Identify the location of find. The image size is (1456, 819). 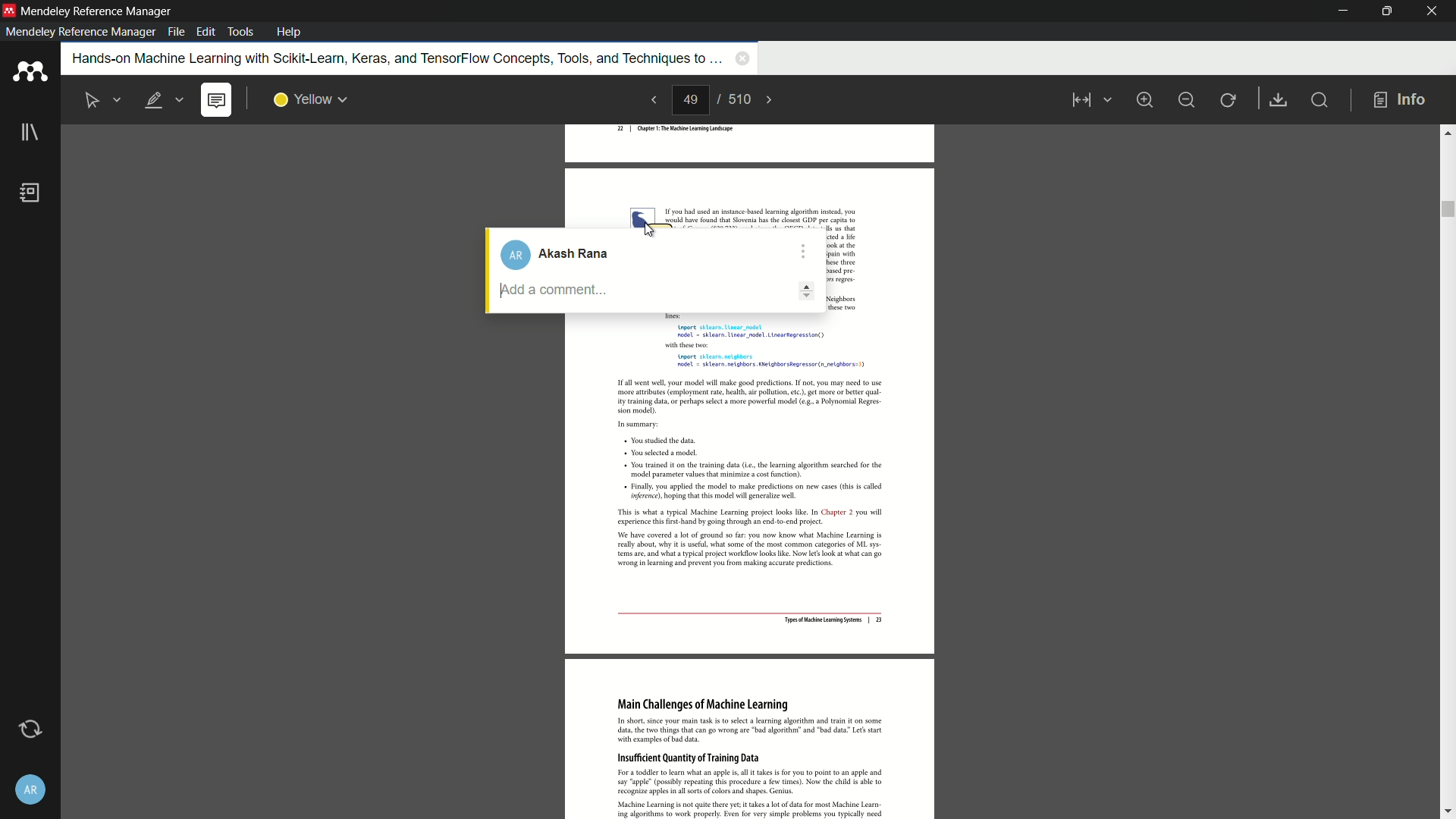
(1323, 102).